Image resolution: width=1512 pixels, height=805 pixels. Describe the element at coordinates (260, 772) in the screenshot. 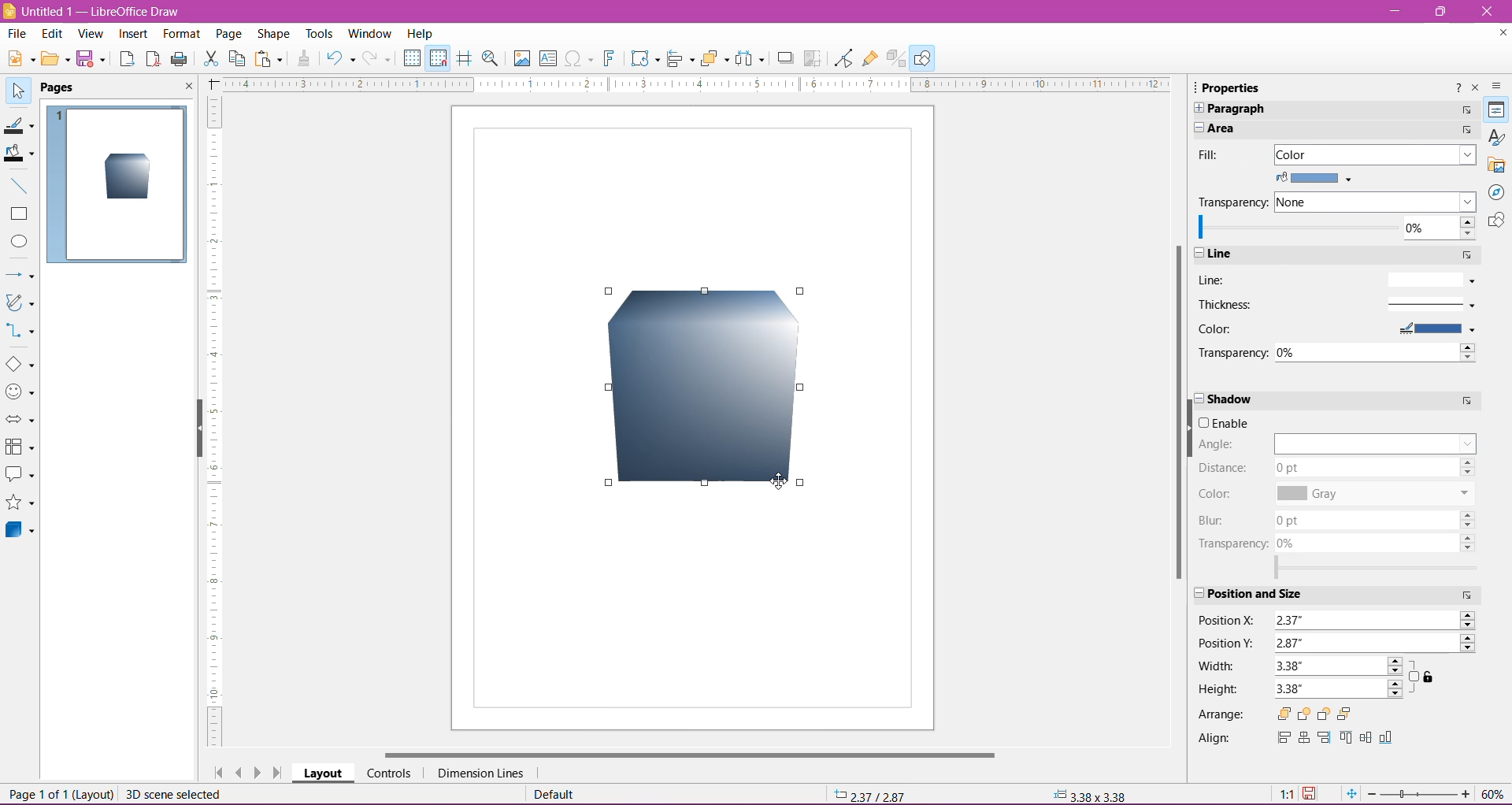

I see `Scroll to next page` at that location.